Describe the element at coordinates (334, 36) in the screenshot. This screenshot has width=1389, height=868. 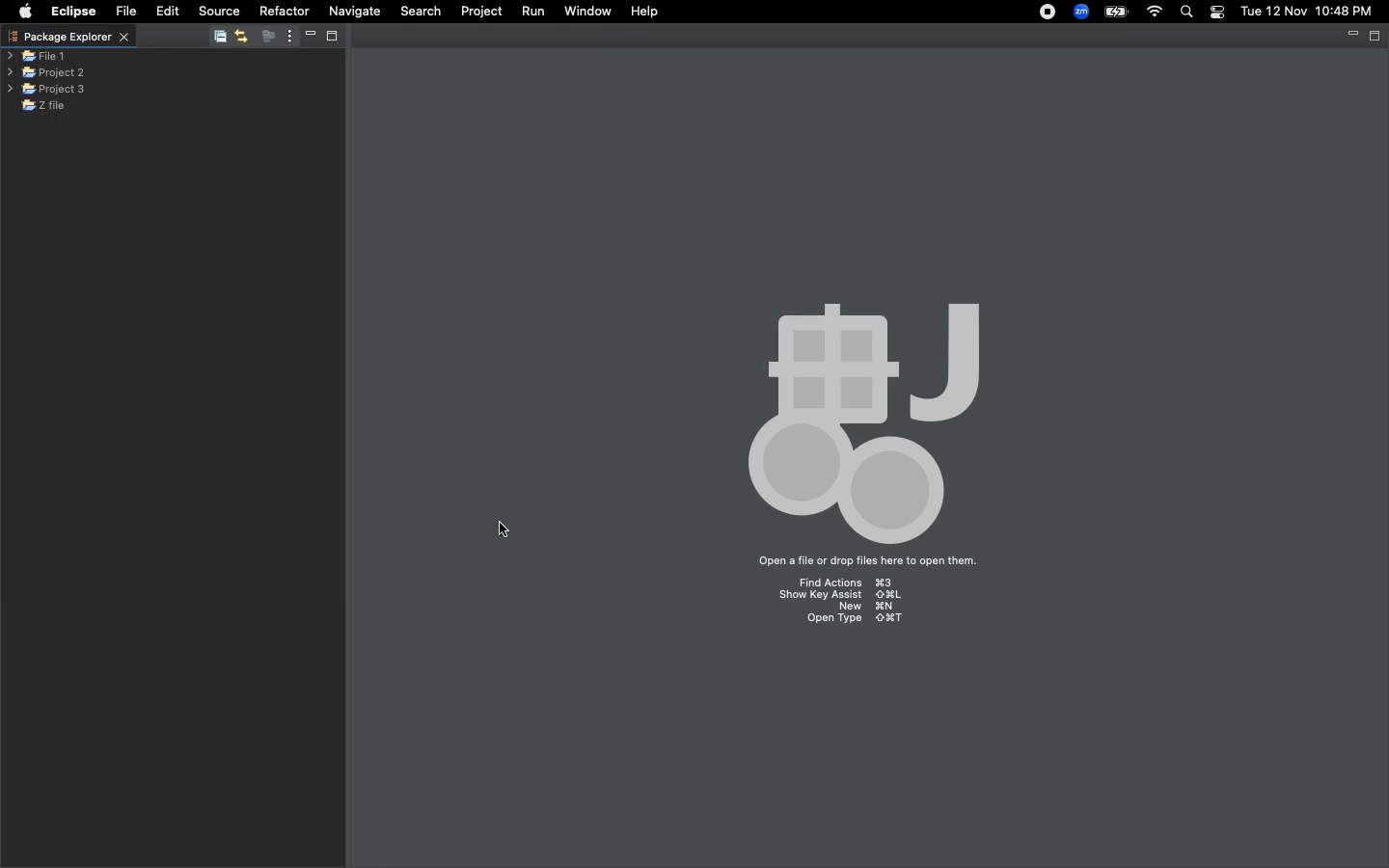
I see `Restore` at that location.